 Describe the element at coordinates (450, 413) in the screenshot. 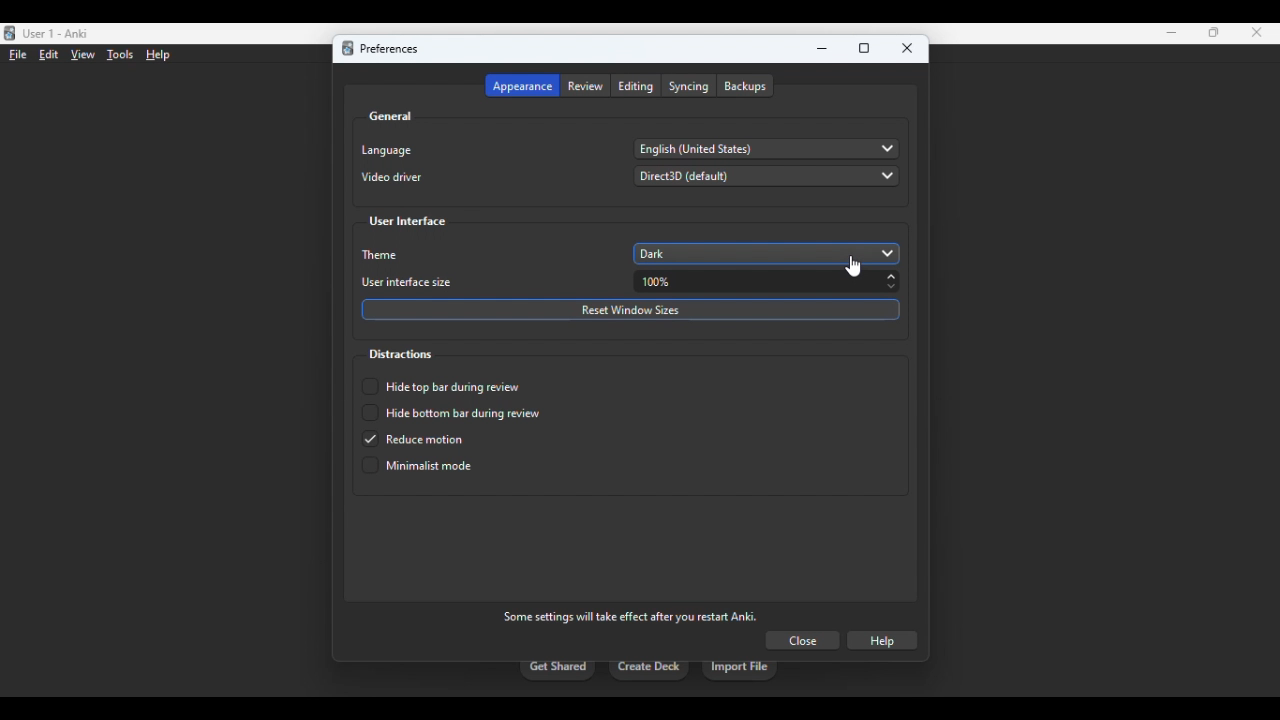

I see `hide bottom bar during review` at that location.